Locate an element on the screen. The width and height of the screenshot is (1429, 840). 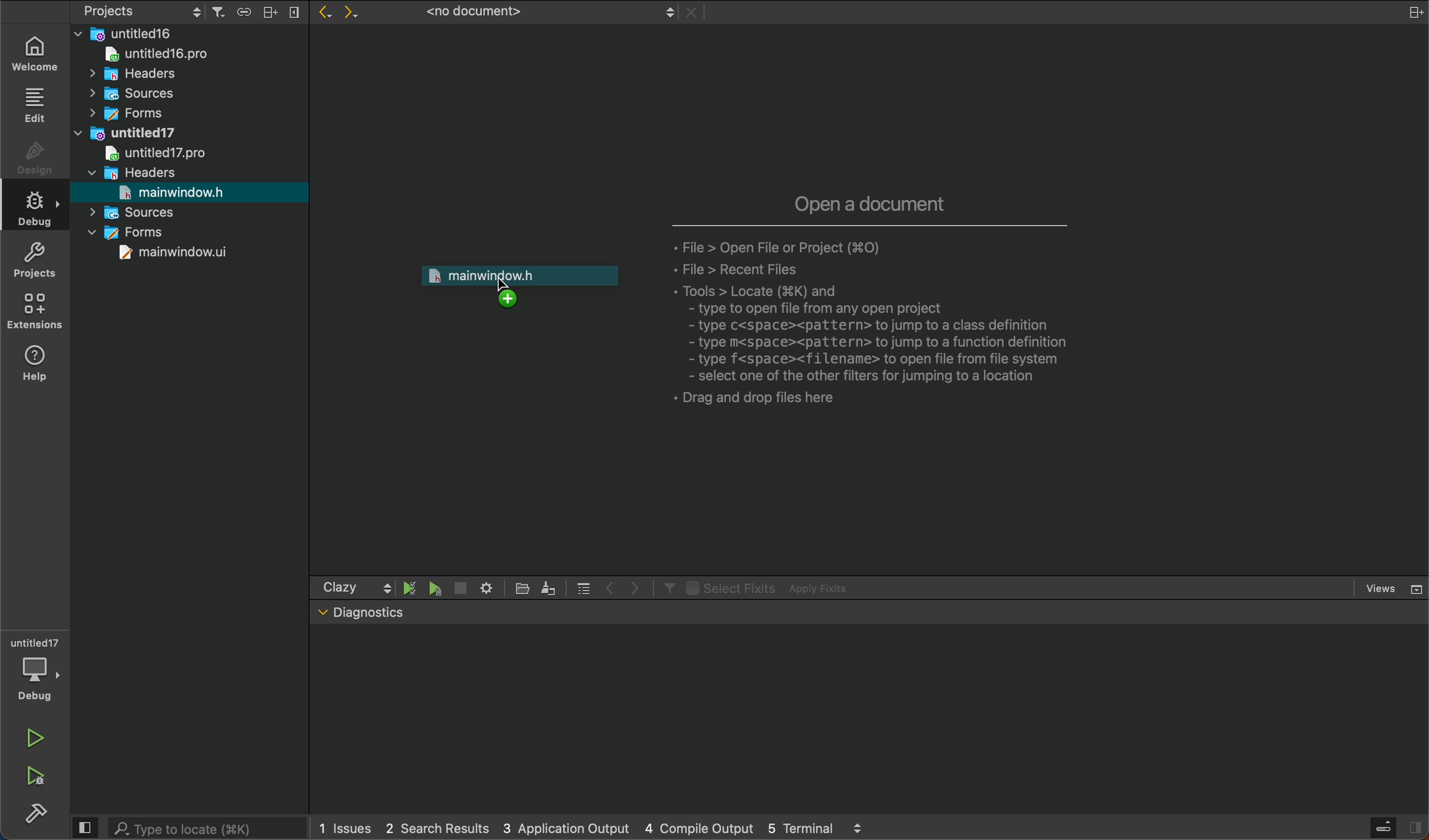
Forms is located at coordinates (132, 233).